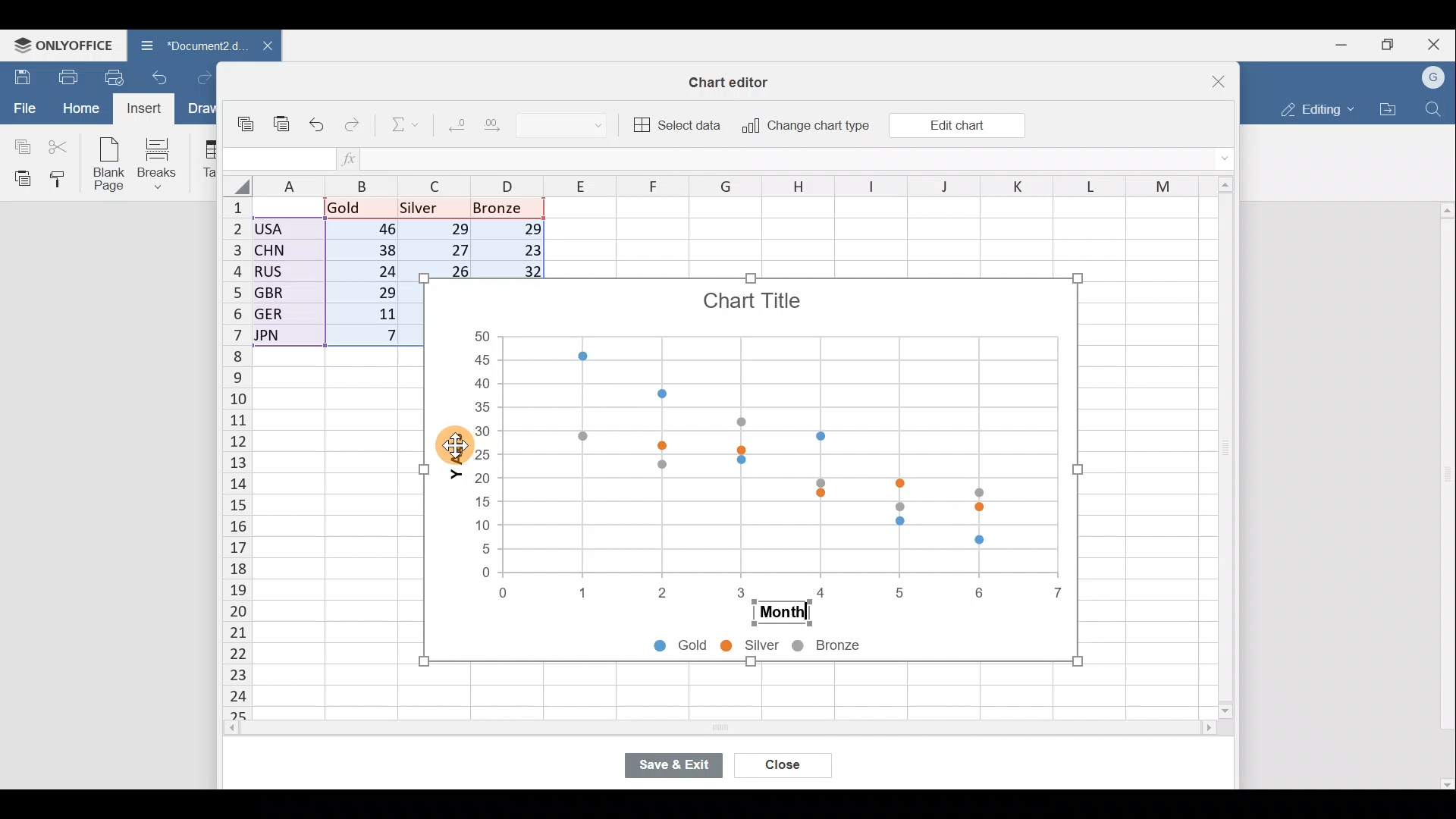 Image resolution: width=1456 pixels, height=819 pixels. Describe the element at coordinates (751, 438) in the screenshot. I see `Chart image` at that location.